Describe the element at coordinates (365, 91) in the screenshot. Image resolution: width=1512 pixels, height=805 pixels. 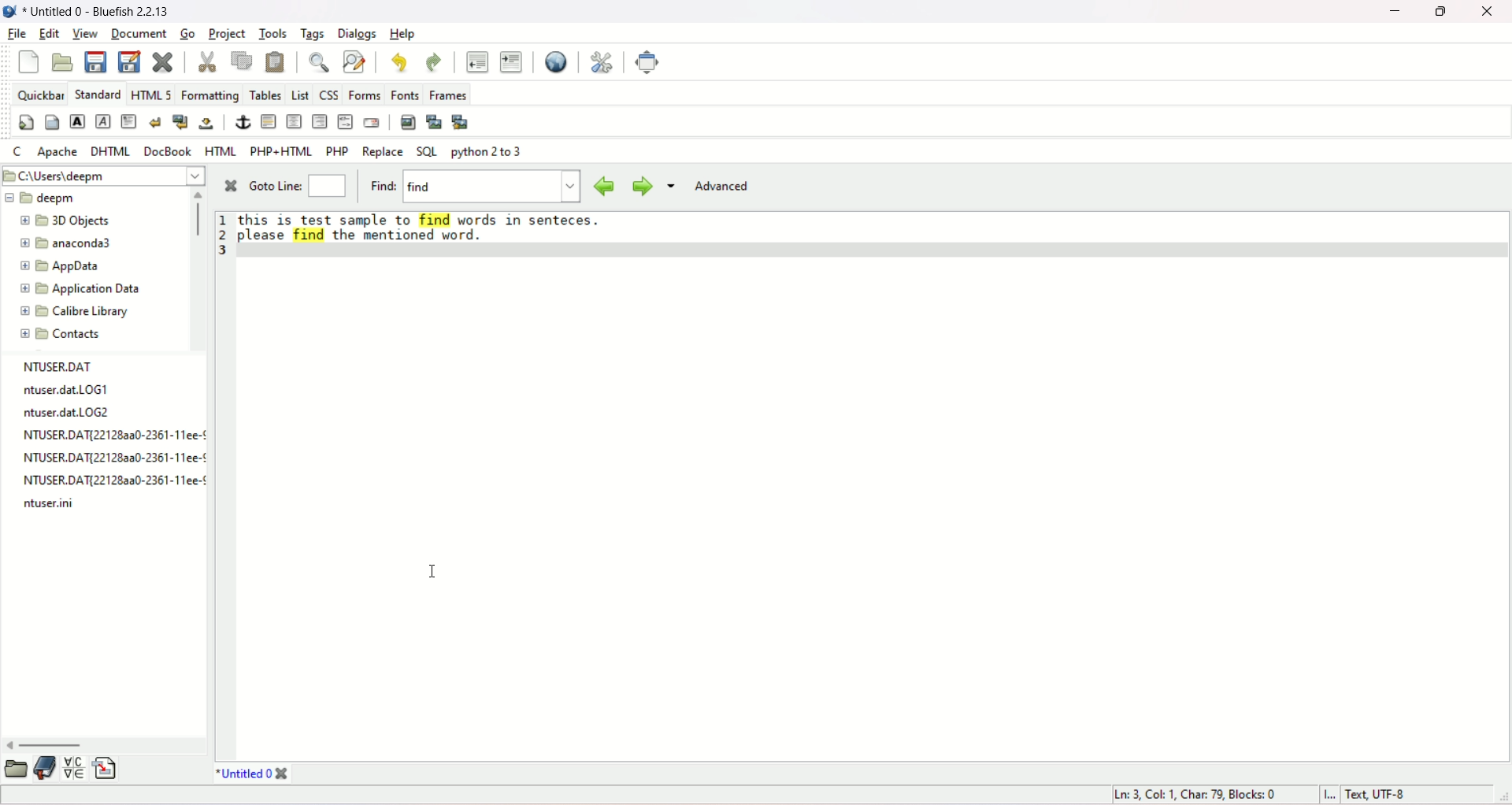
I see `forms` at that location.